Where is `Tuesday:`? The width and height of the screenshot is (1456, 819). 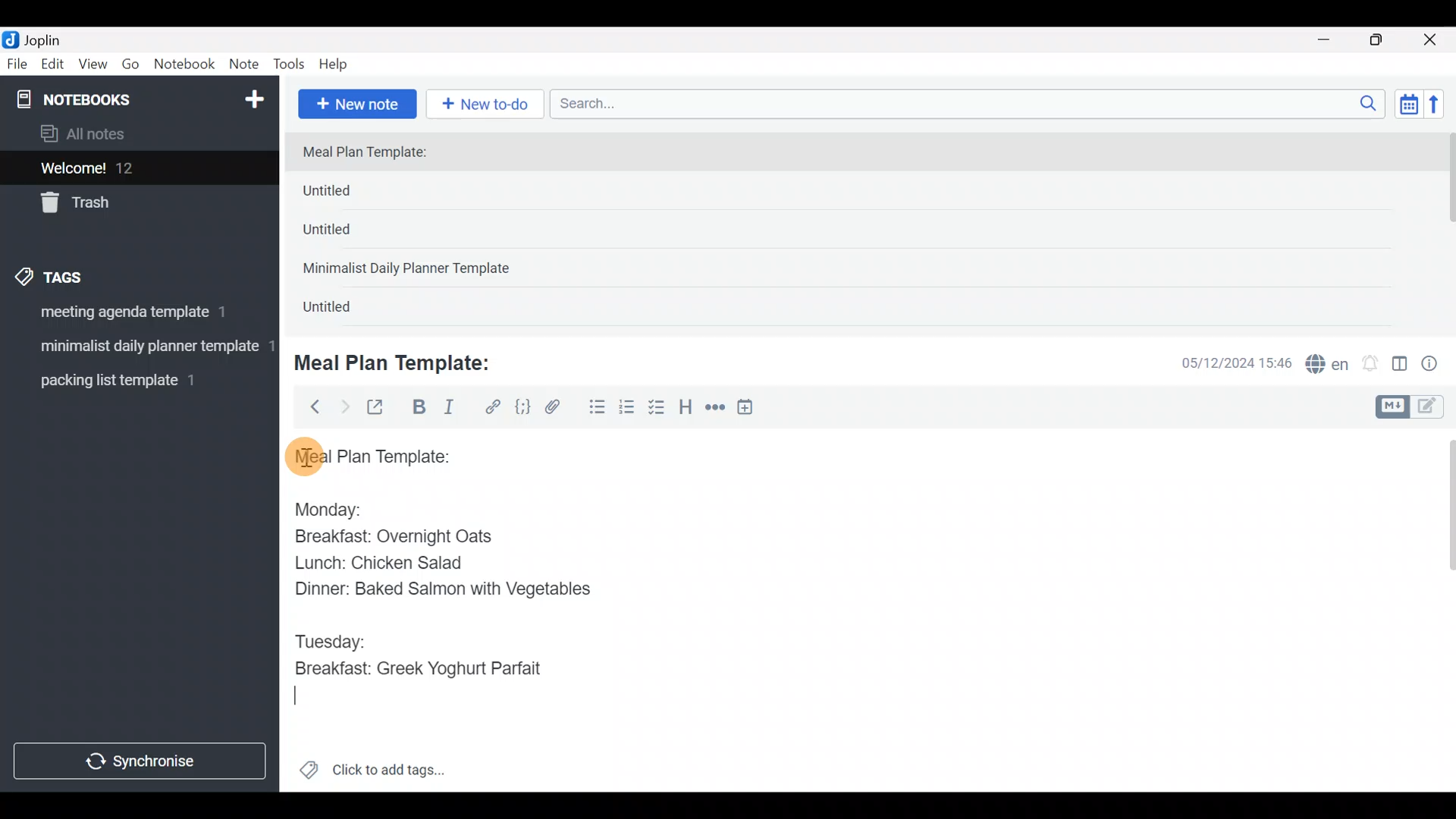
Tuesday: is located at coordinates (330, 642).